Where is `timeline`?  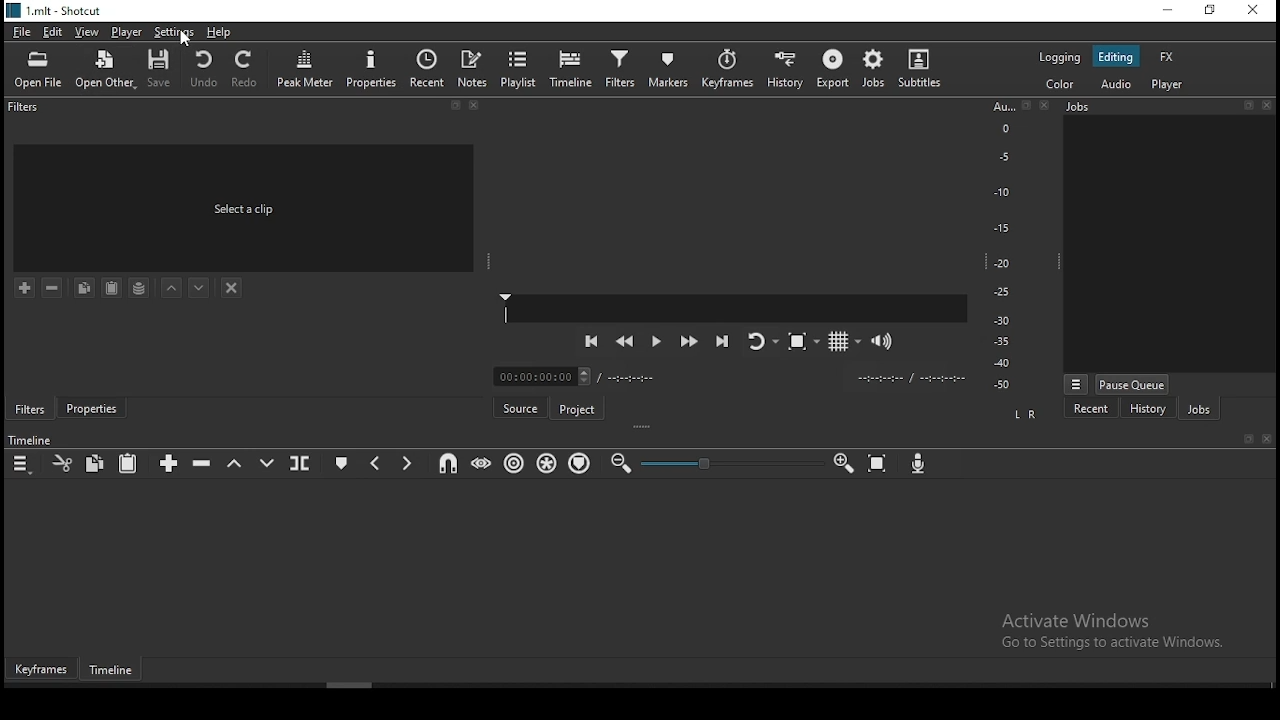
timeline is located at coordinates (571, 67).